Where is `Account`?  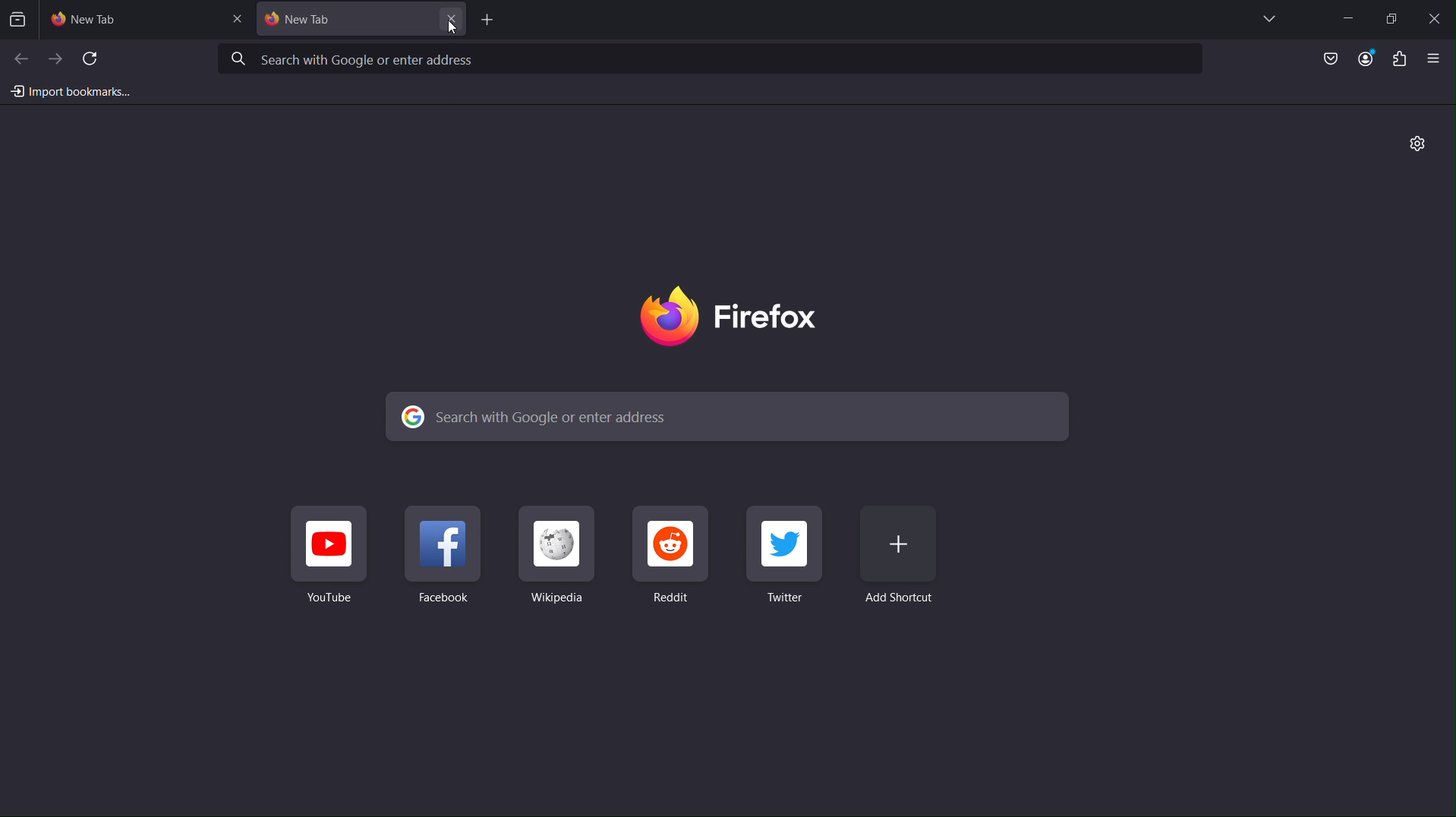
Account is located at coordinates (1366, 59).